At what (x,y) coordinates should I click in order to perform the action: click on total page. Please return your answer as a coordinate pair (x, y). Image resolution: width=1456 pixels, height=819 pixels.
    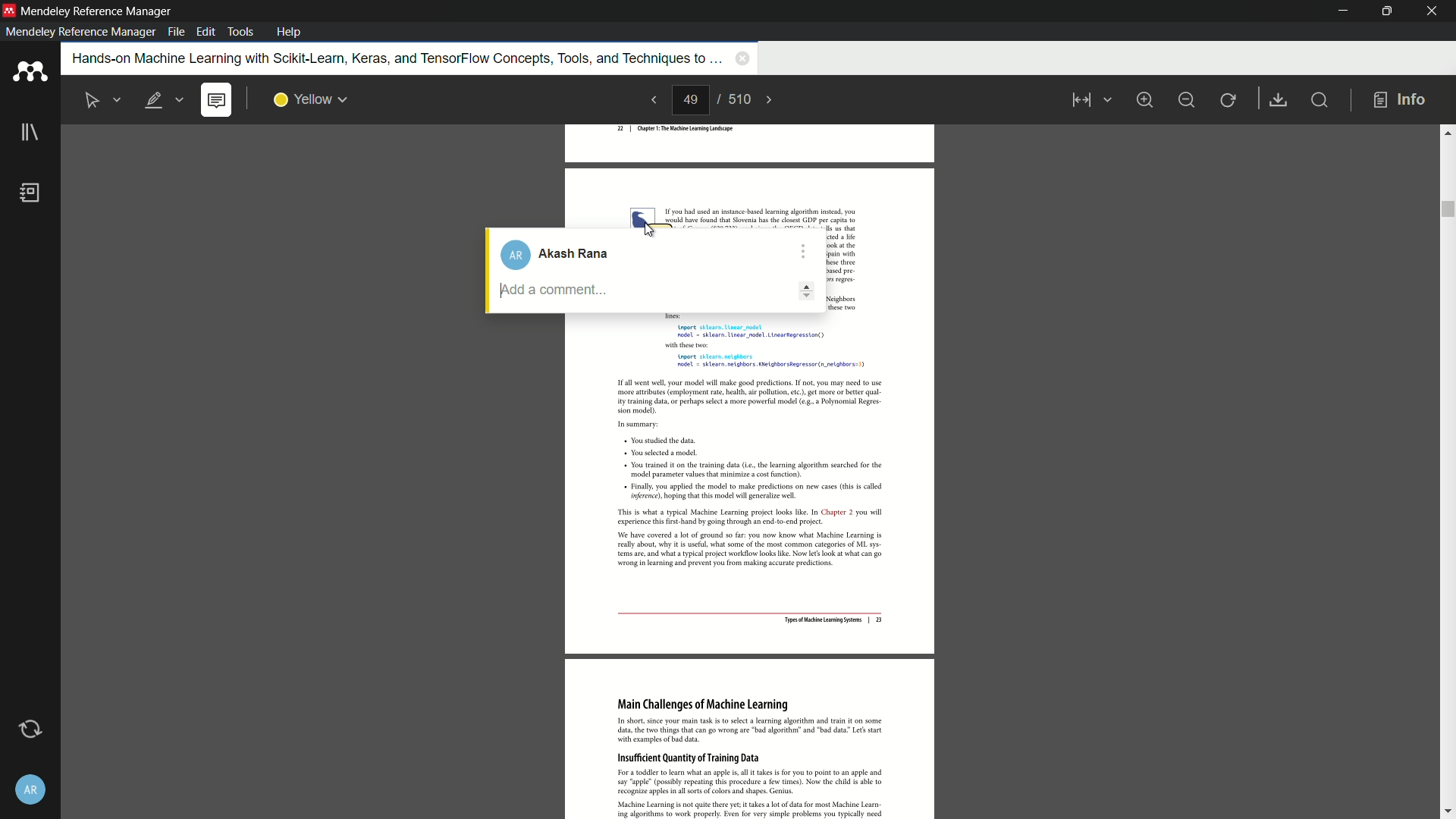
    Looking at the image, I should click on (741, 100).